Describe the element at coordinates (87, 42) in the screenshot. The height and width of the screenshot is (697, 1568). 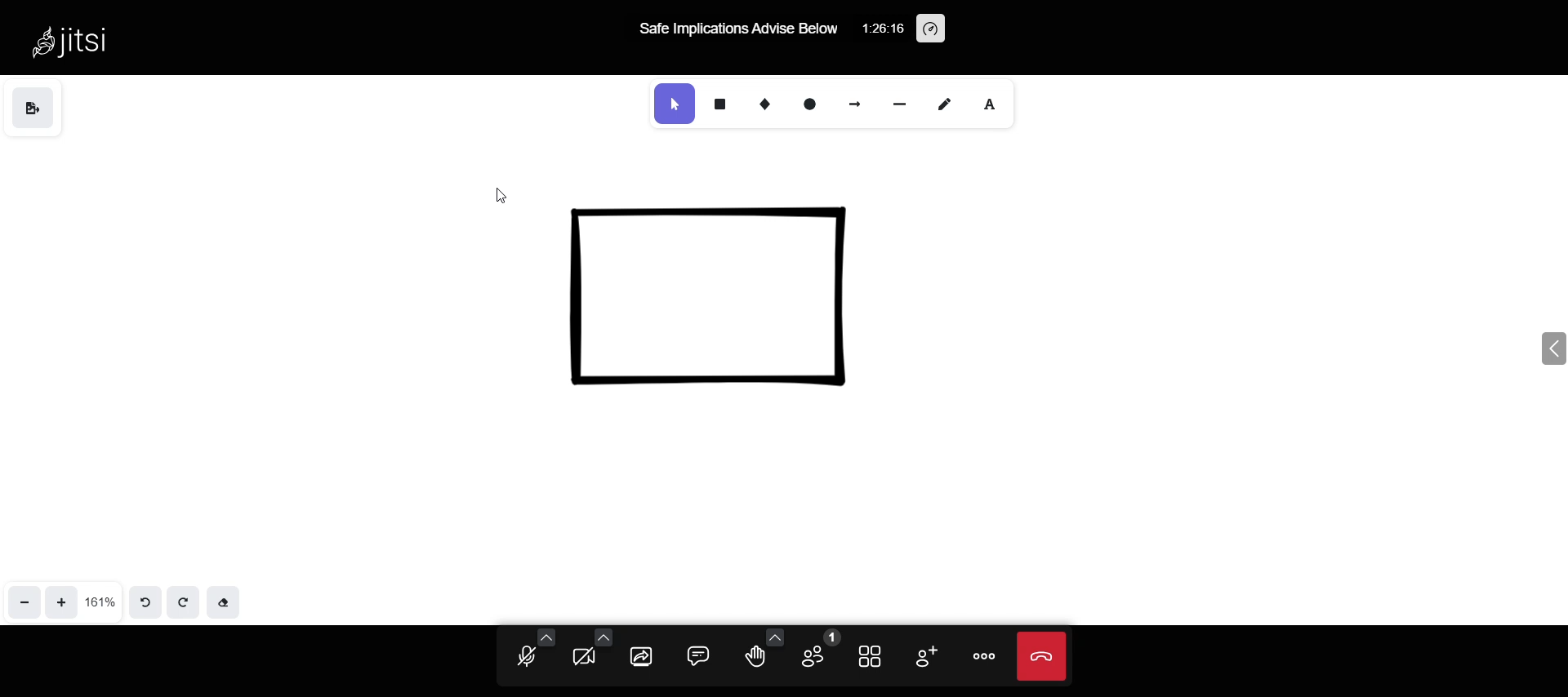
I see `Jitsi` at that location.